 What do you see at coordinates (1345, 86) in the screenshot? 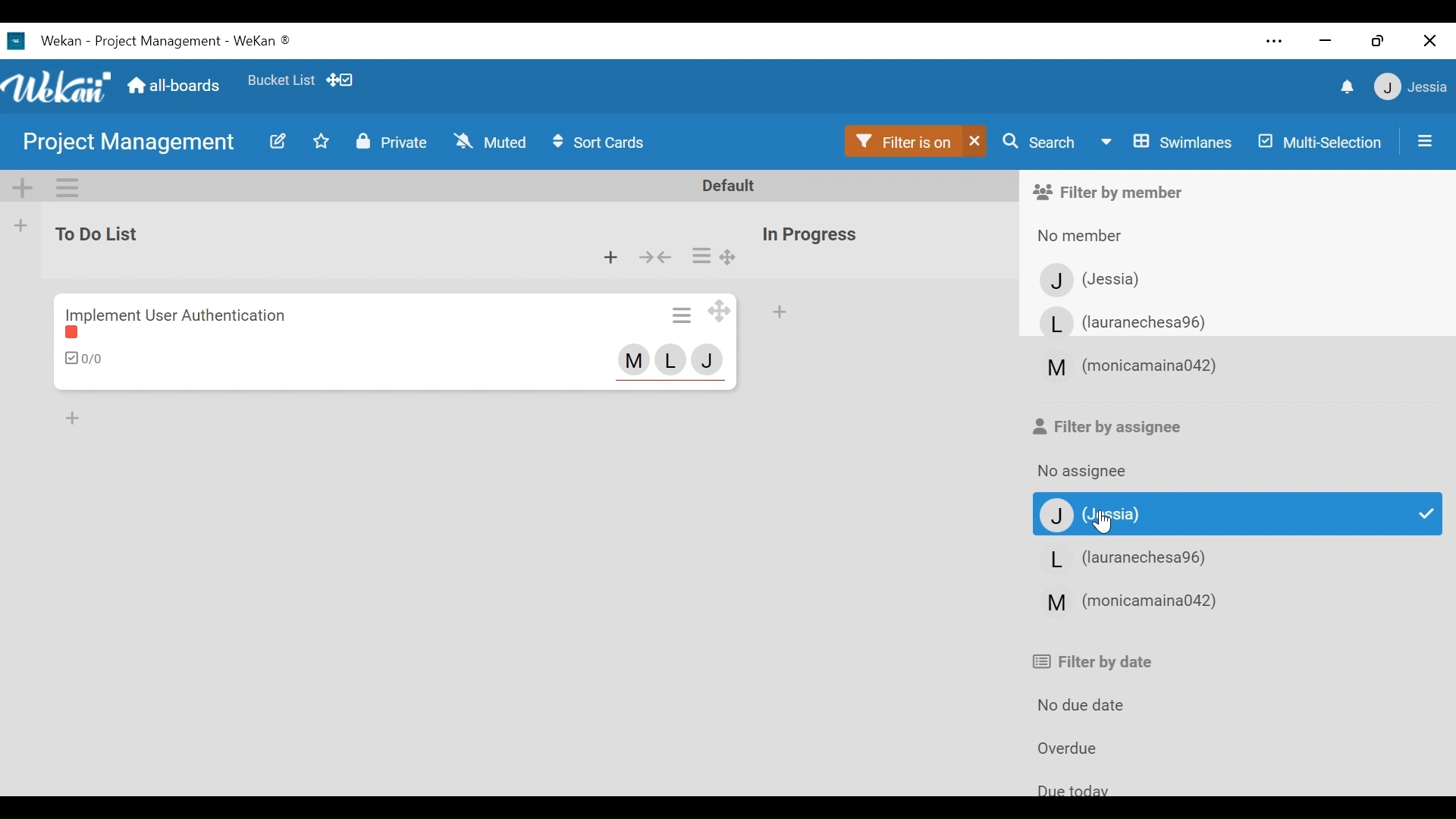
I see `notifications` at bounding box center [1345, 86].